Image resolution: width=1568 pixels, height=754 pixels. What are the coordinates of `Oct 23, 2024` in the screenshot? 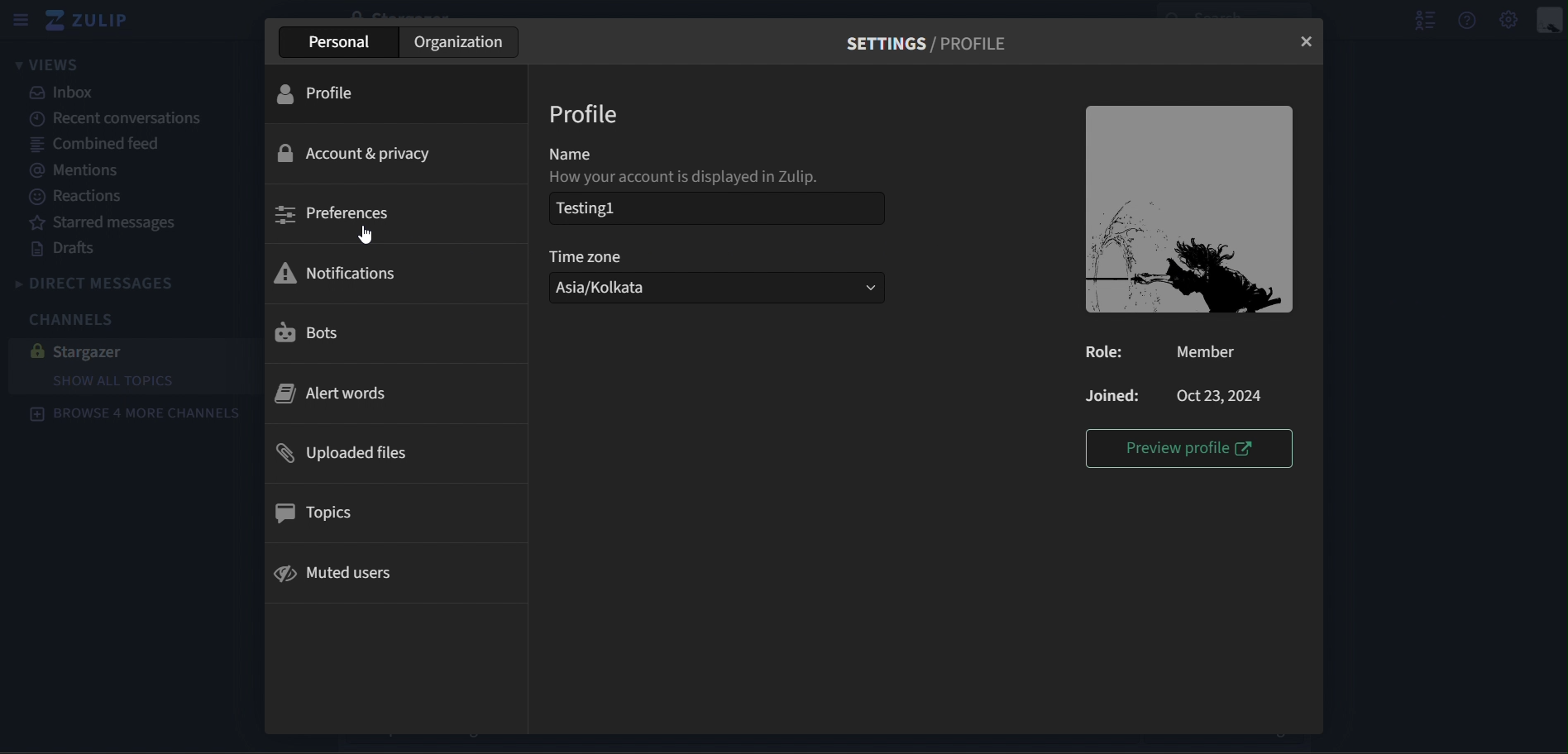 It's located at (1225, 394).